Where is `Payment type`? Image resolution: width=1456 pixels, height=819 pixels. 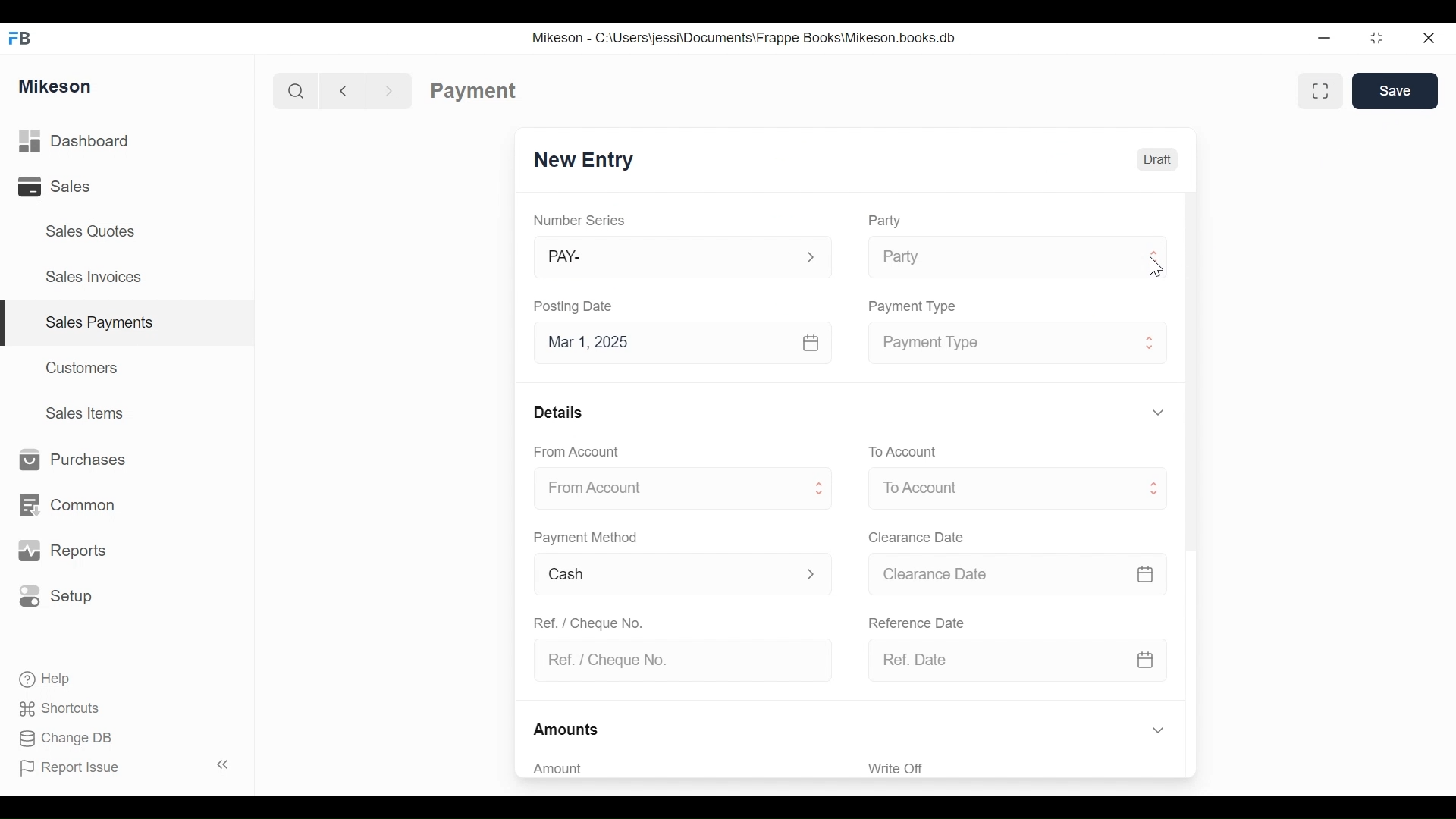 Payment type is located at coordinates (915, 306).